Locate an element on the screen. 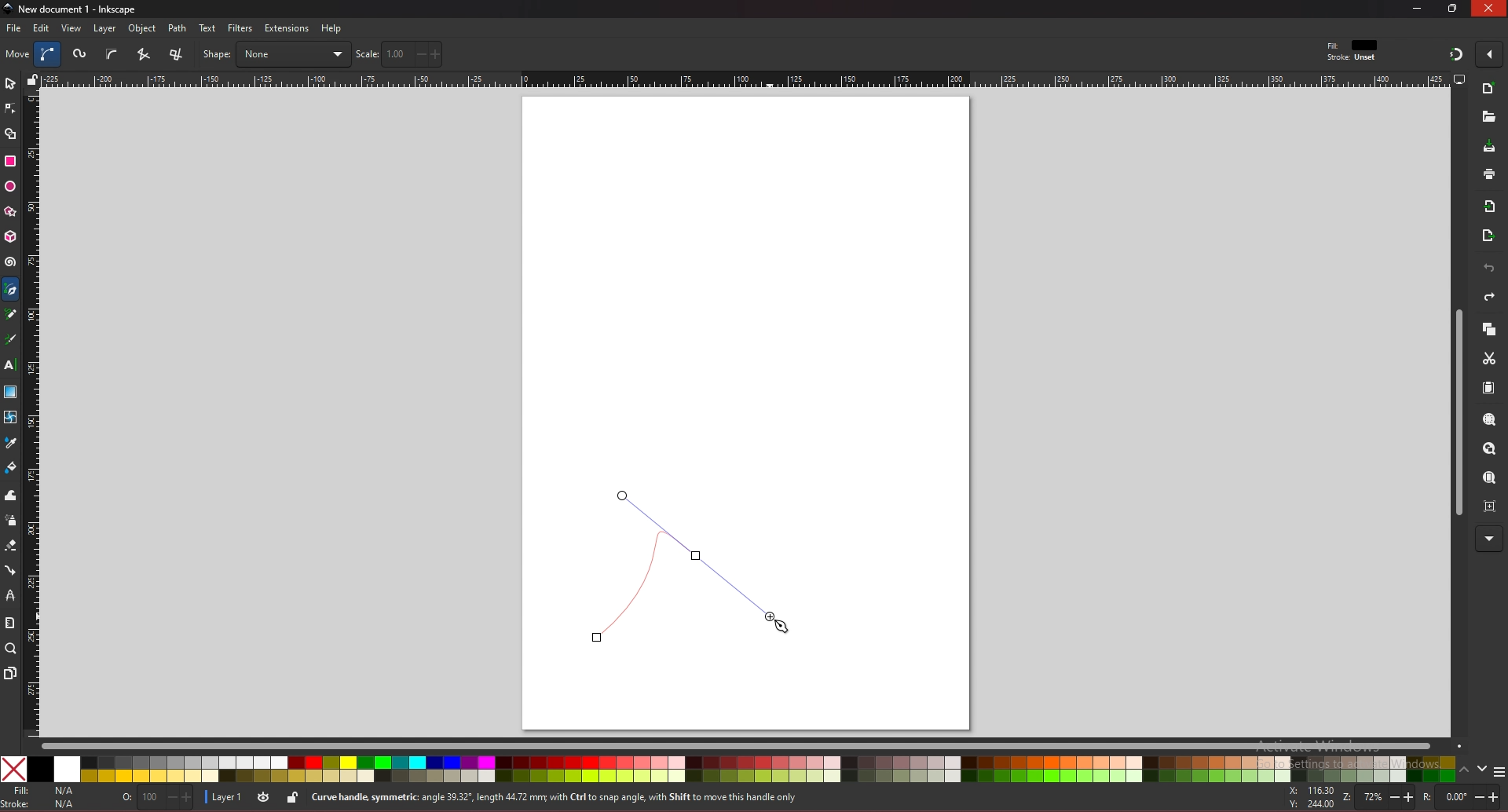  paint bucket is located at coordinates (11, 466).